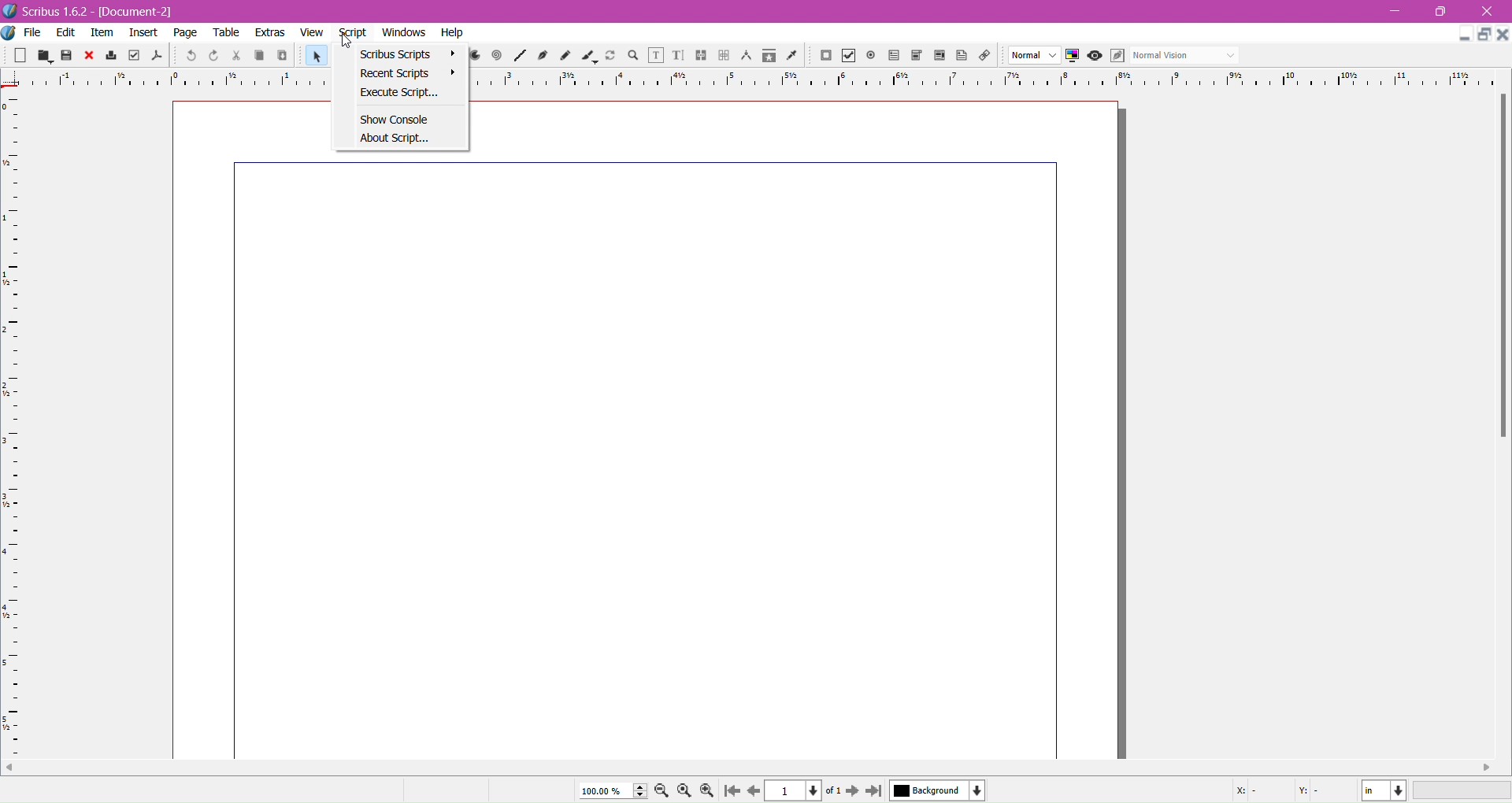 Image resolution: width=1512 pixels, height=803 pixels. Describe the element at coordinates (398, 139) in the screenshot. I see `About Script` at that location.